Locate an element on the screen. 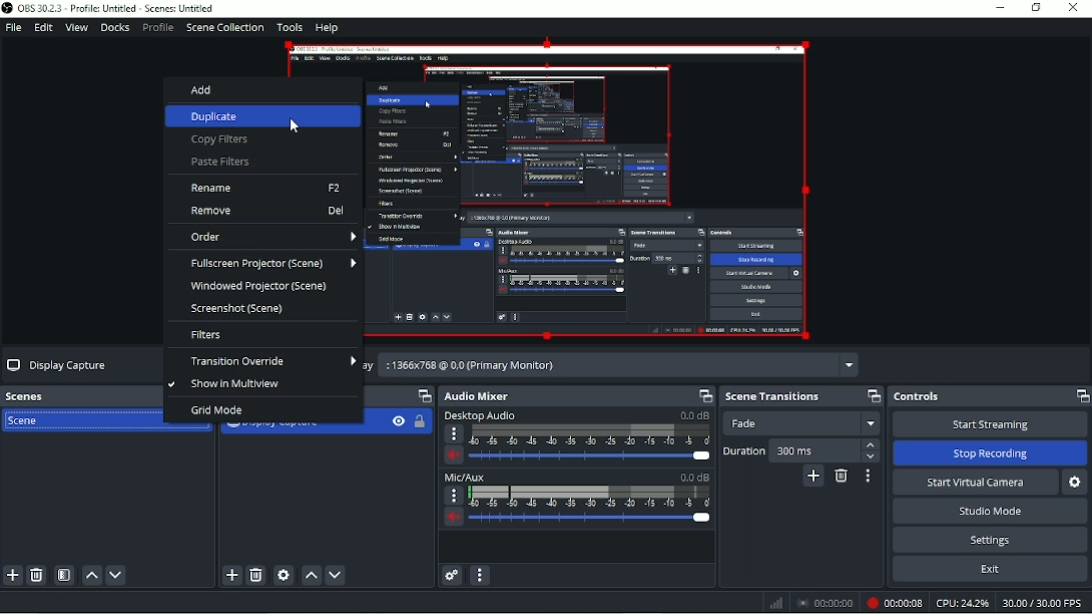 This screenshot has width=1092, height=614. Maximize is located at coordinates (422, 396).